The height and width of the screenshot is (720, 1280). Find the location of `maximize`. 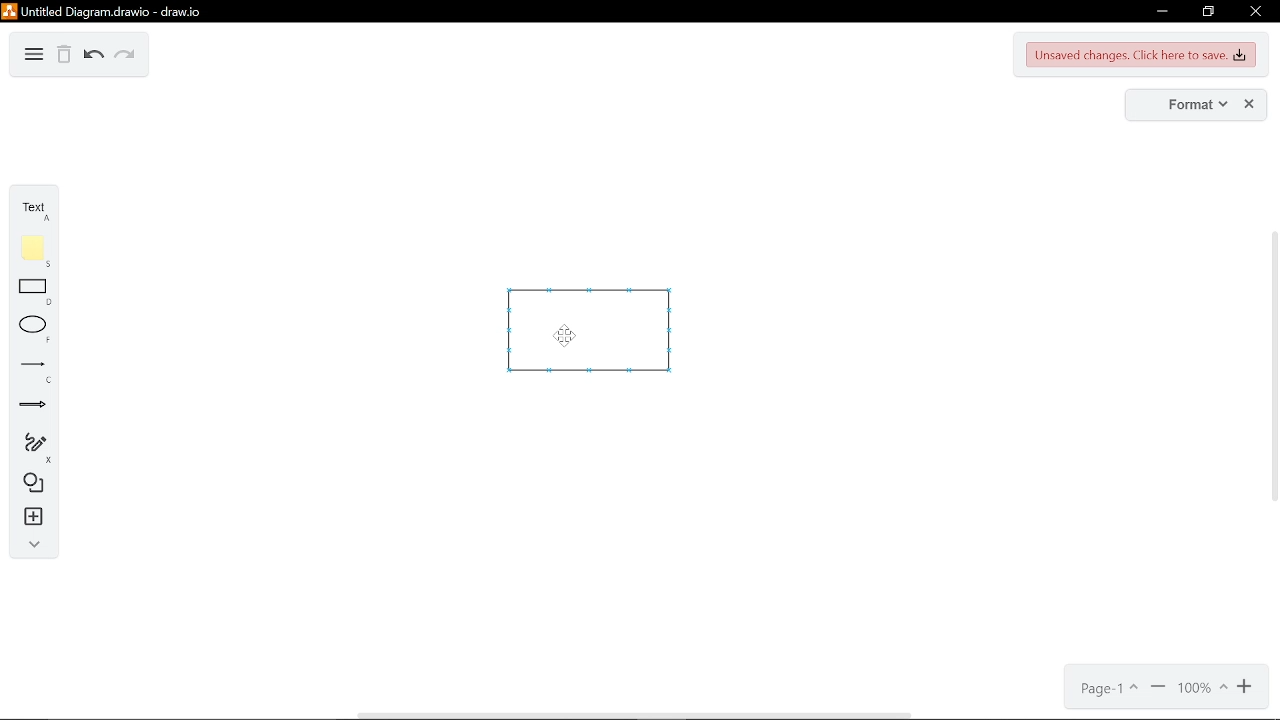

maximize is located at coordinates (1207, 12).